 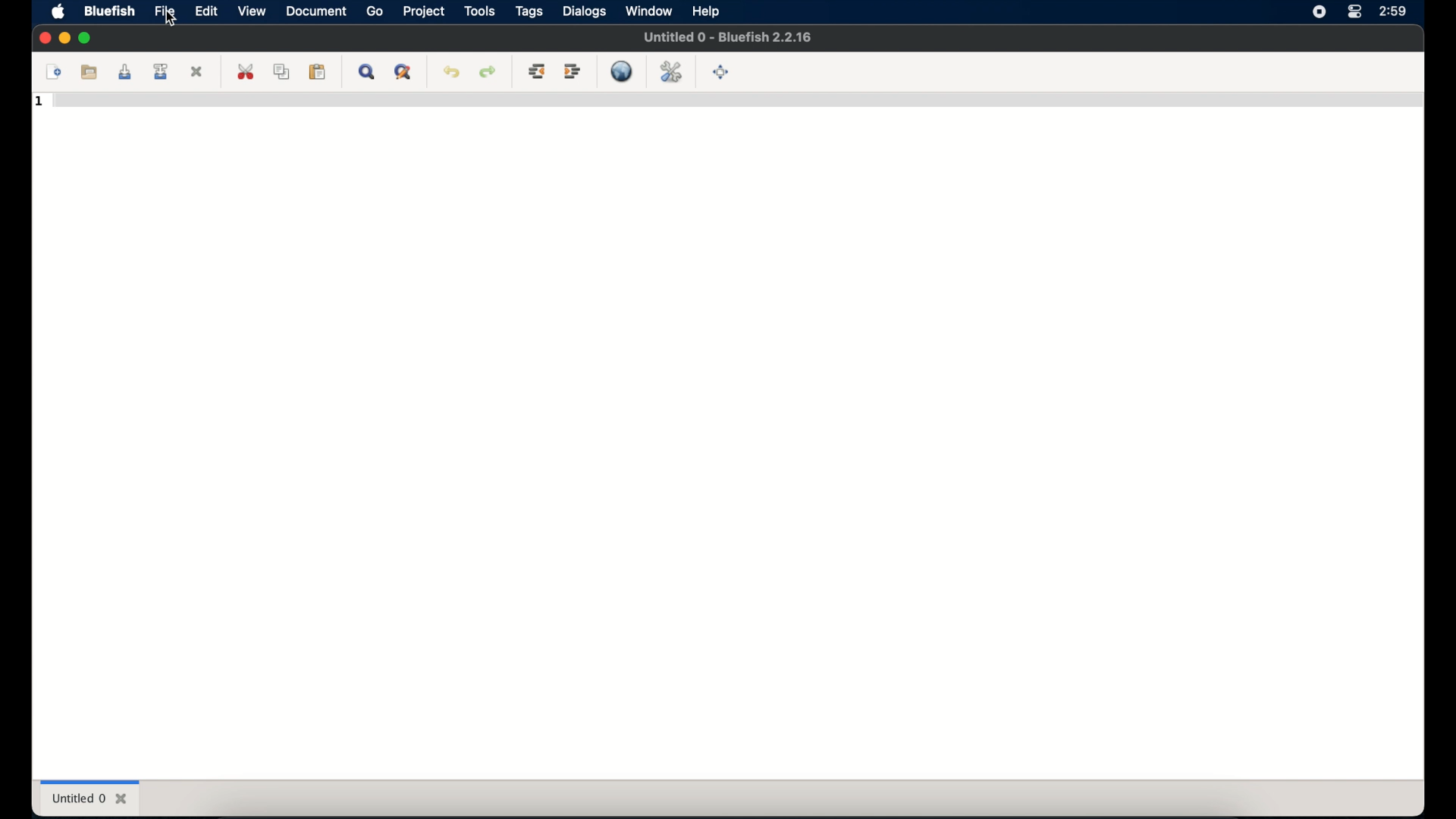 I want to click on edit in preferences, so click(x=671, y=71).